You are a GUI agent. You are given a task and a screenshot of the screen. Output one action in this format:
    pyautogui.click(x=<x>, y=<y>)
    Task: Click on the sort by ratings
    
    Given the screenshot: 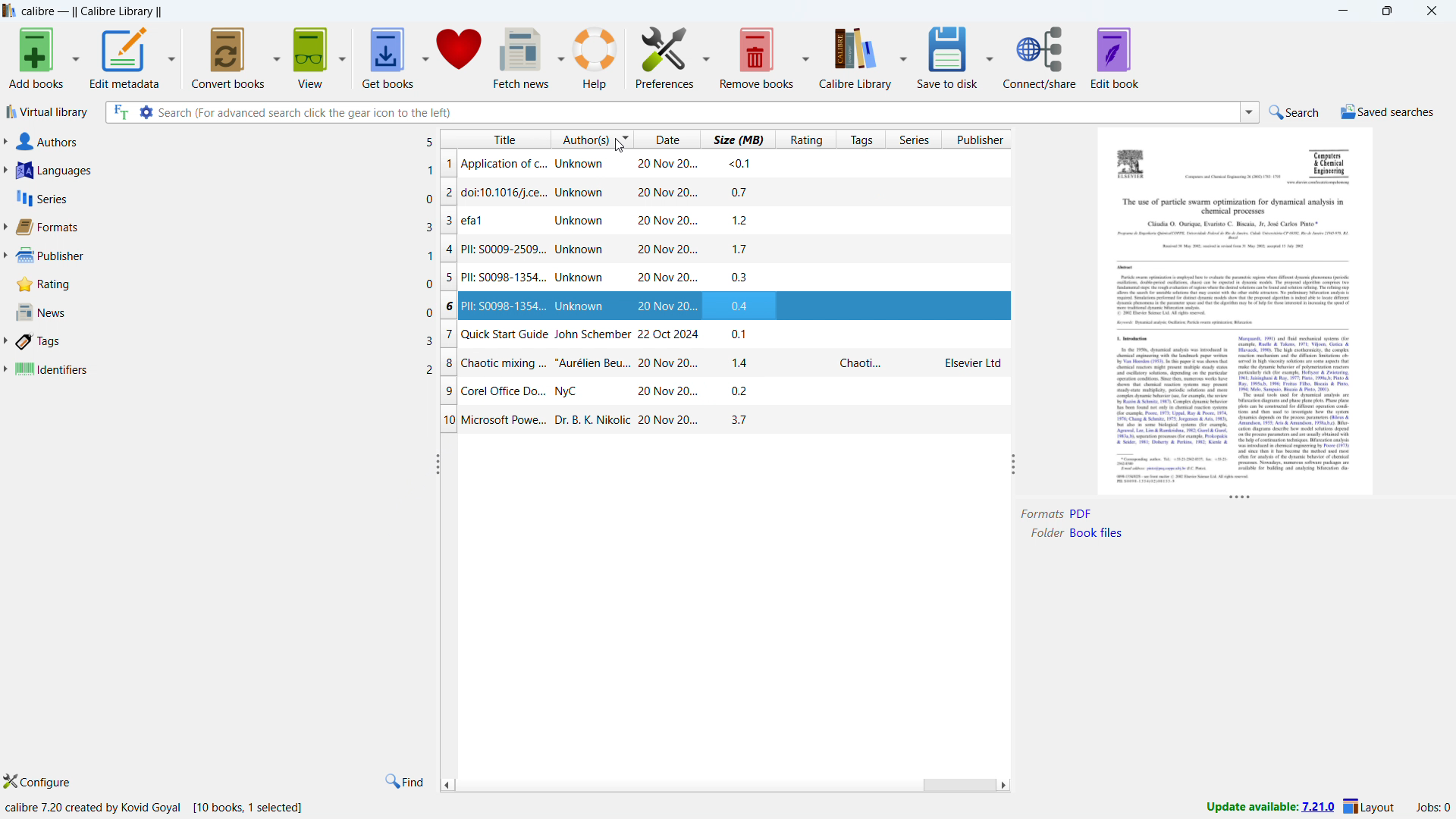 What is the action you would take?
    pyautogui.click(x=804, y=140)
    